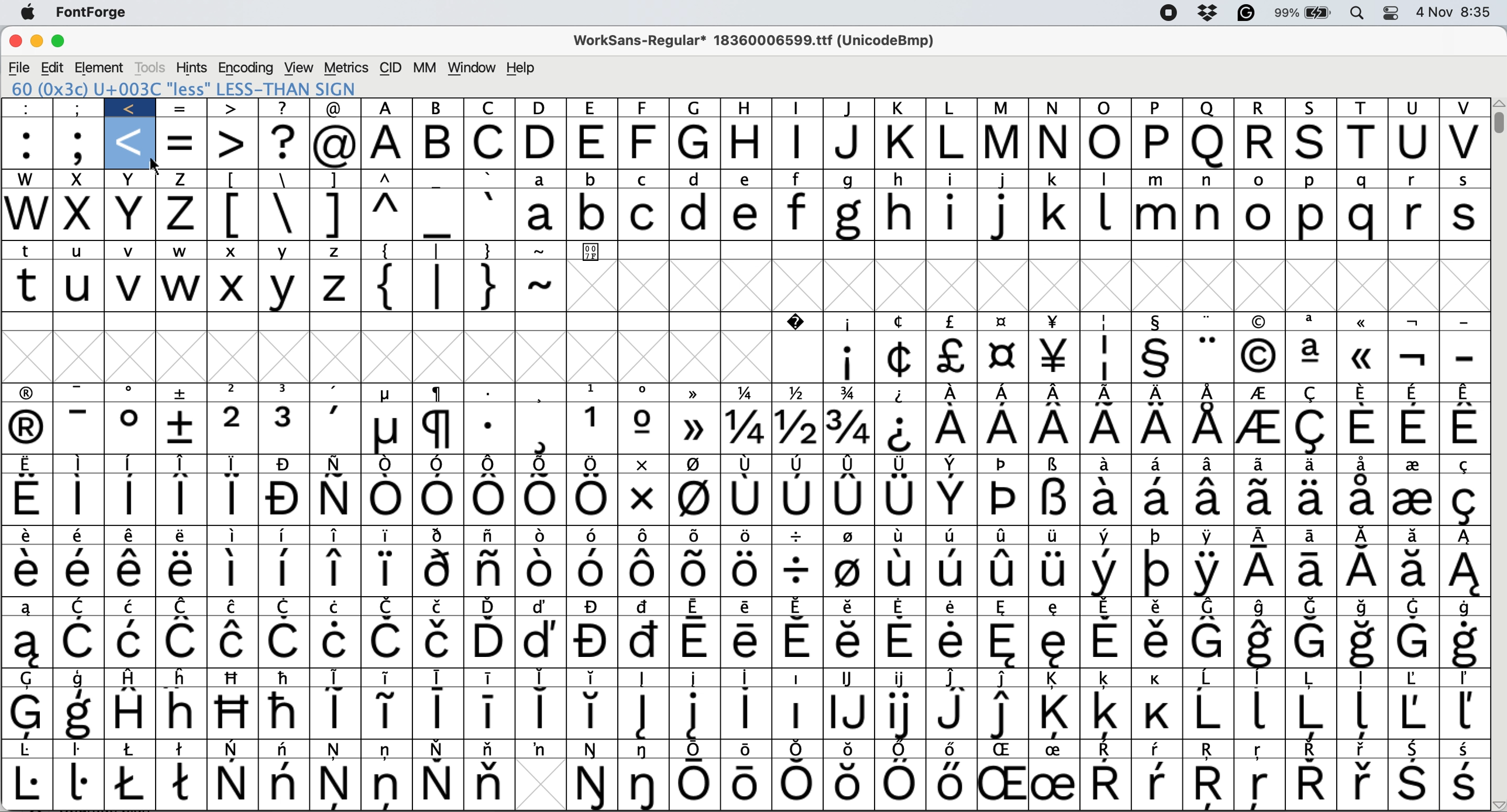 The height and width of the screenshot is (812, 1507). Describe the element at coordinates (1309, 500) in the screenshot. I see `Symbol` at that location.